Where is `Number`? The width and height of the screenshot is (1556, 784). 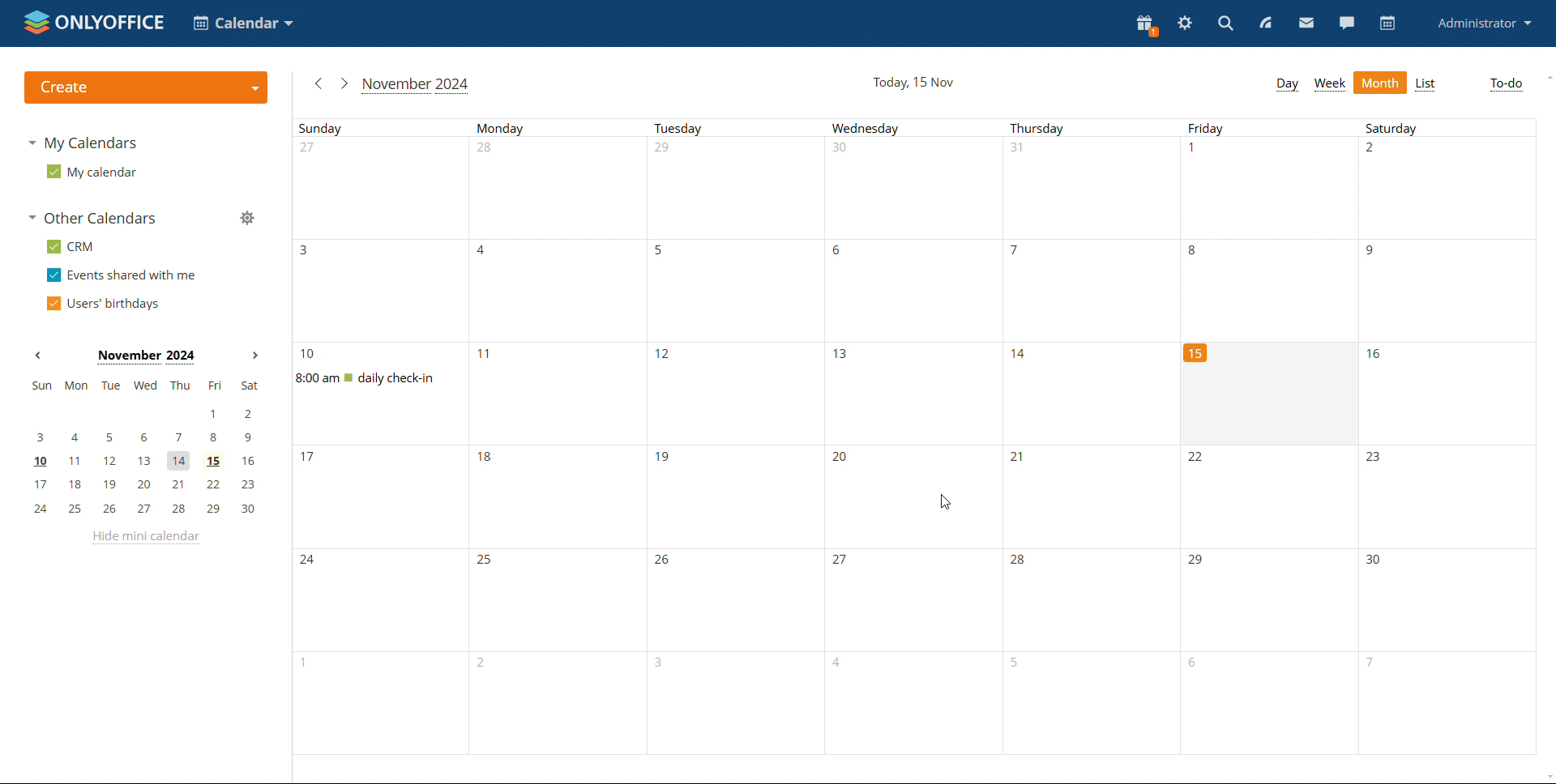 Number is located at coordinates (840, 150).